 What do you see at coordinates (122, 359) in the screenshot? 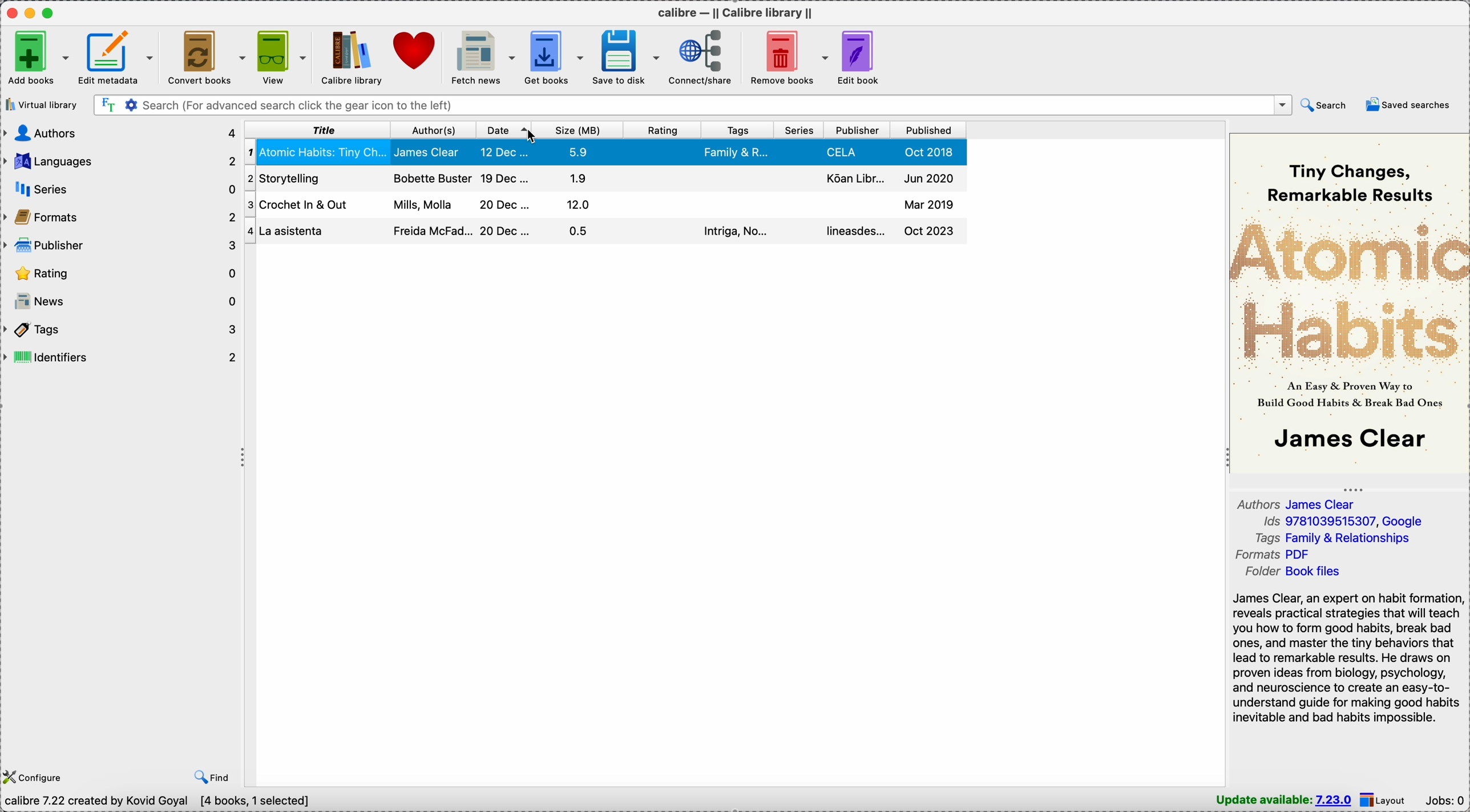
I see `identifiers` at bounding box center [122, 359].